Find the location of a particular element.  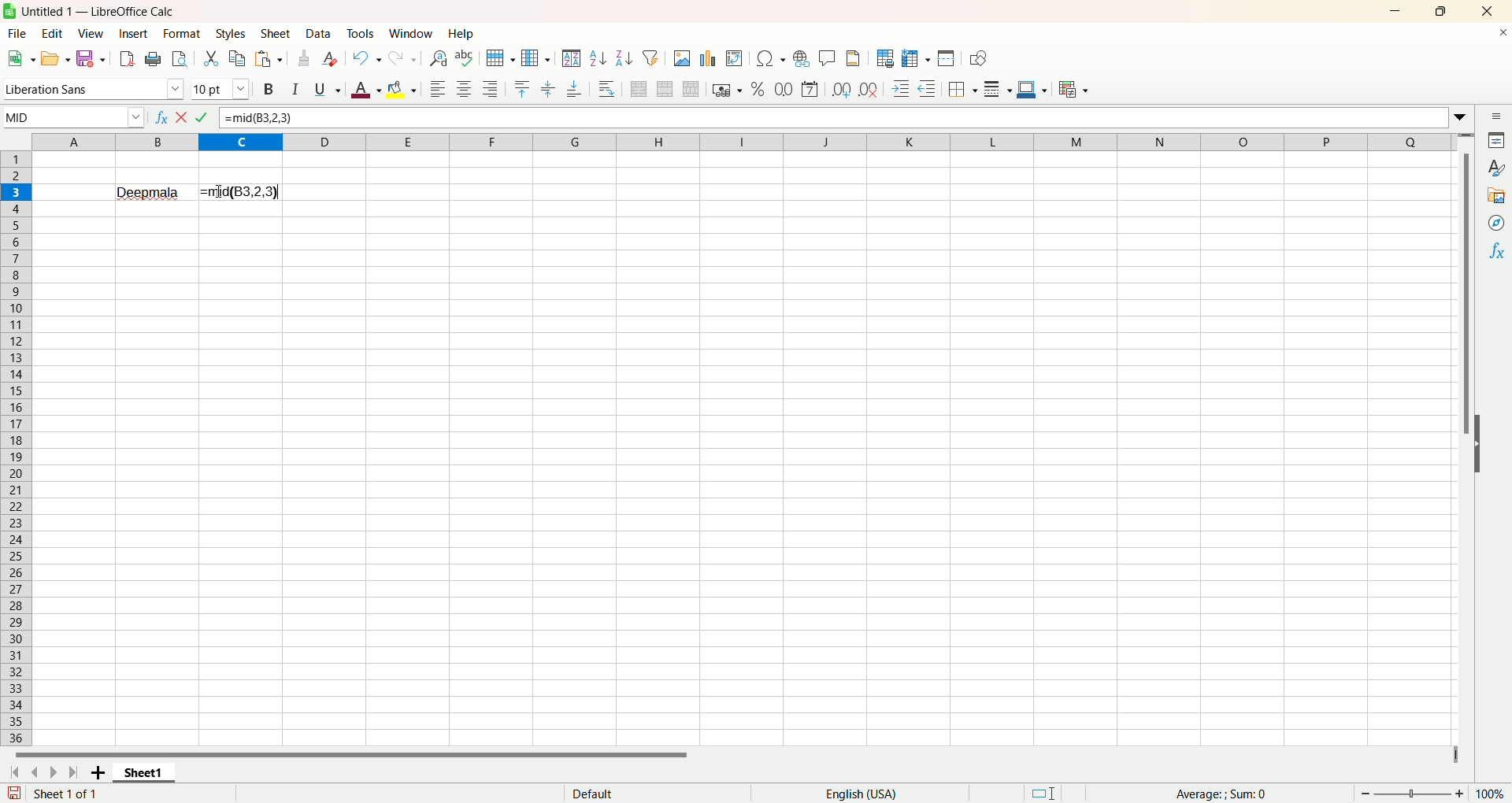

Insert comment is located at coordinates (828, 56).